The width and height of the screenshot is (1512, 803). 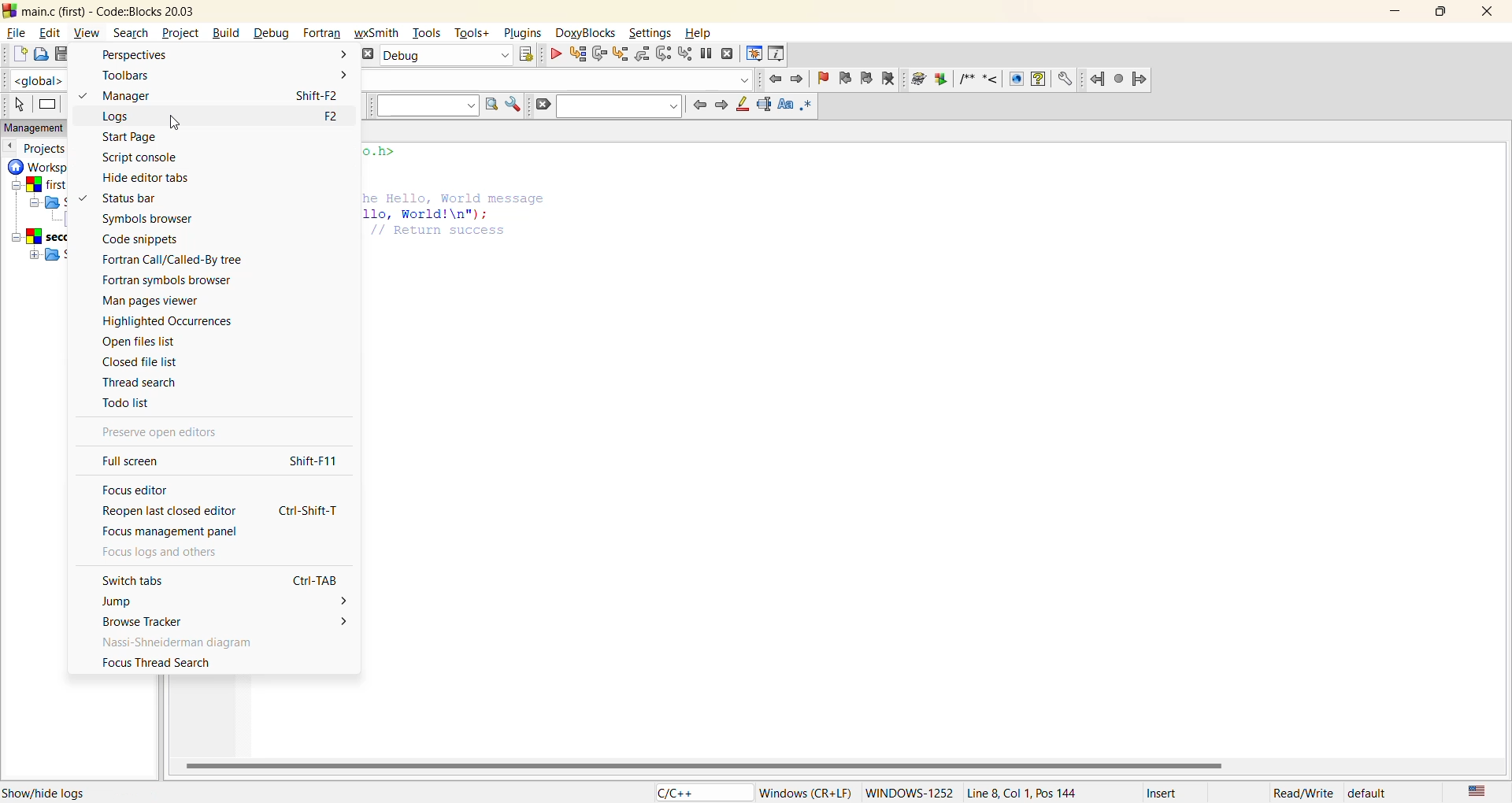 What do you see at coordinates (929, 80) in the screenshot?
I see `doxyblocks` at bounding box center [929, 80].